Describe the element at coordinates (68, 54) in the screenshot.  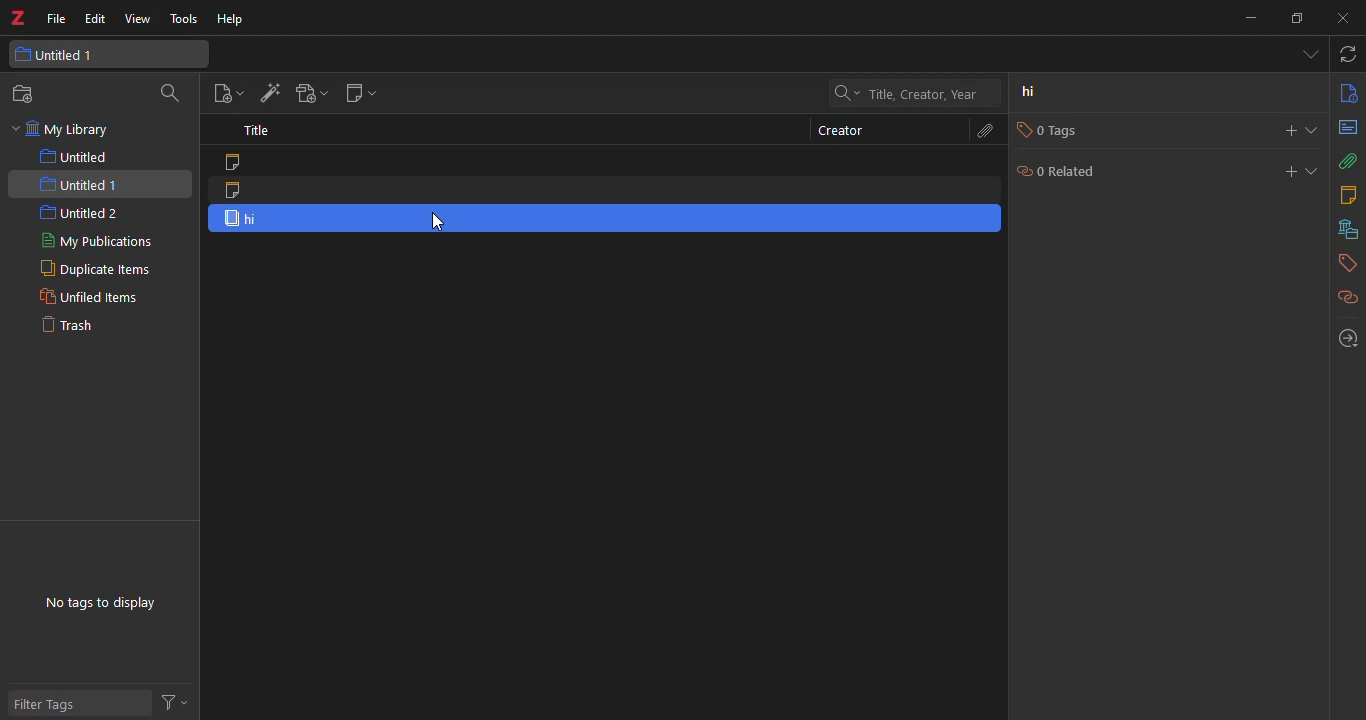
I see `untitled 1` at that location.